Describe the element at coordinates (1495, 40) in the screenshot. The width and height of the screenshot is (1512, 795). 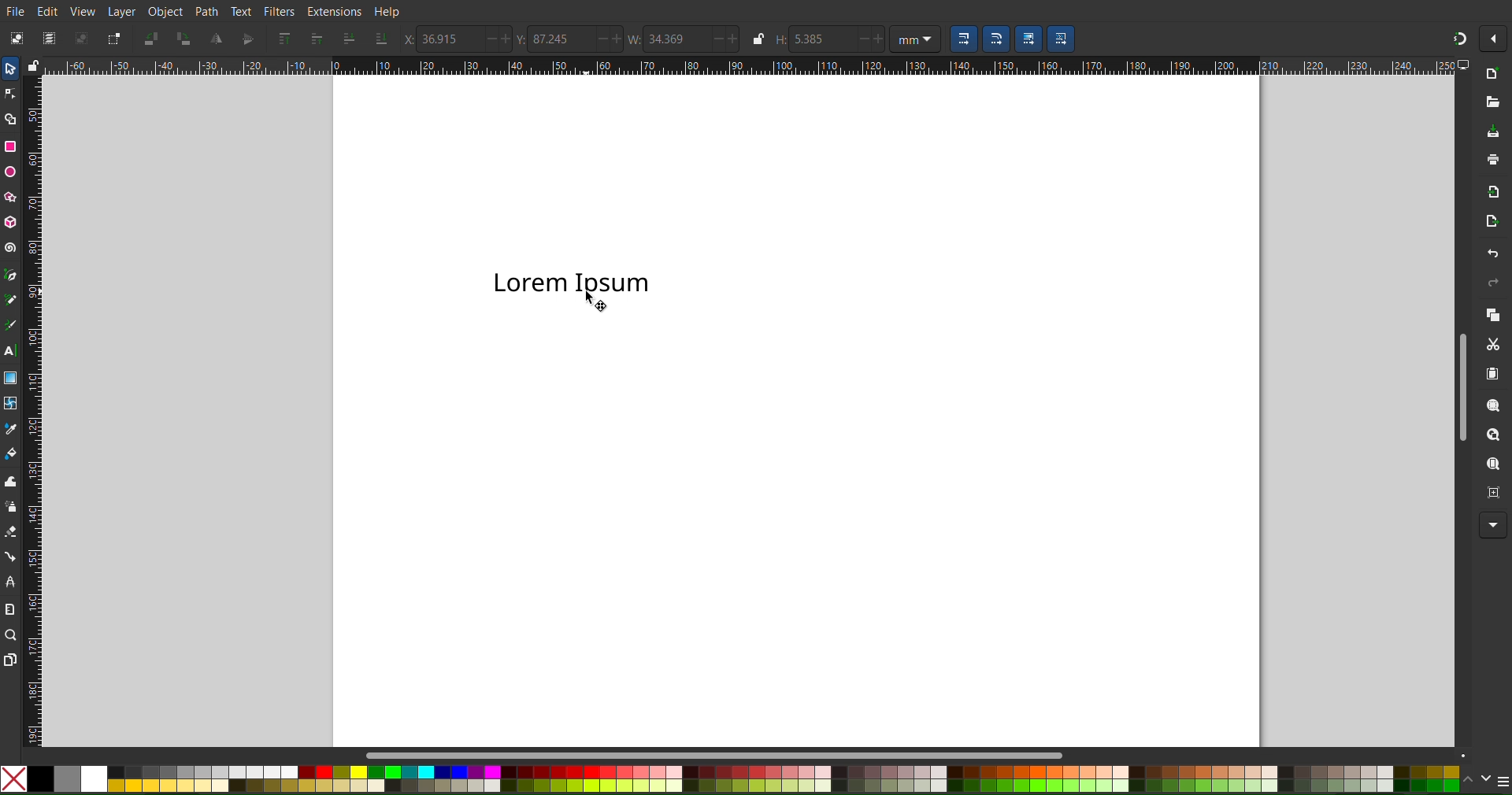
I see `Options` at that location.